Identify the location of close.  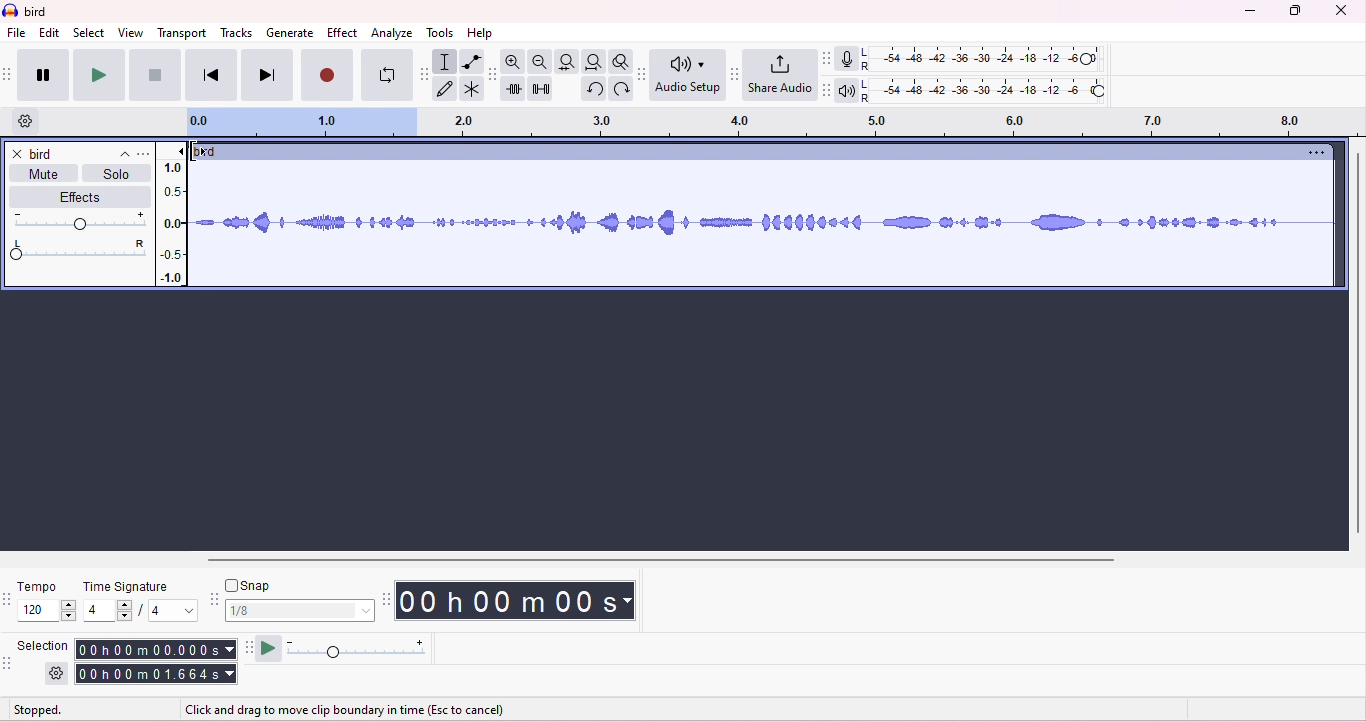
(15, 153).